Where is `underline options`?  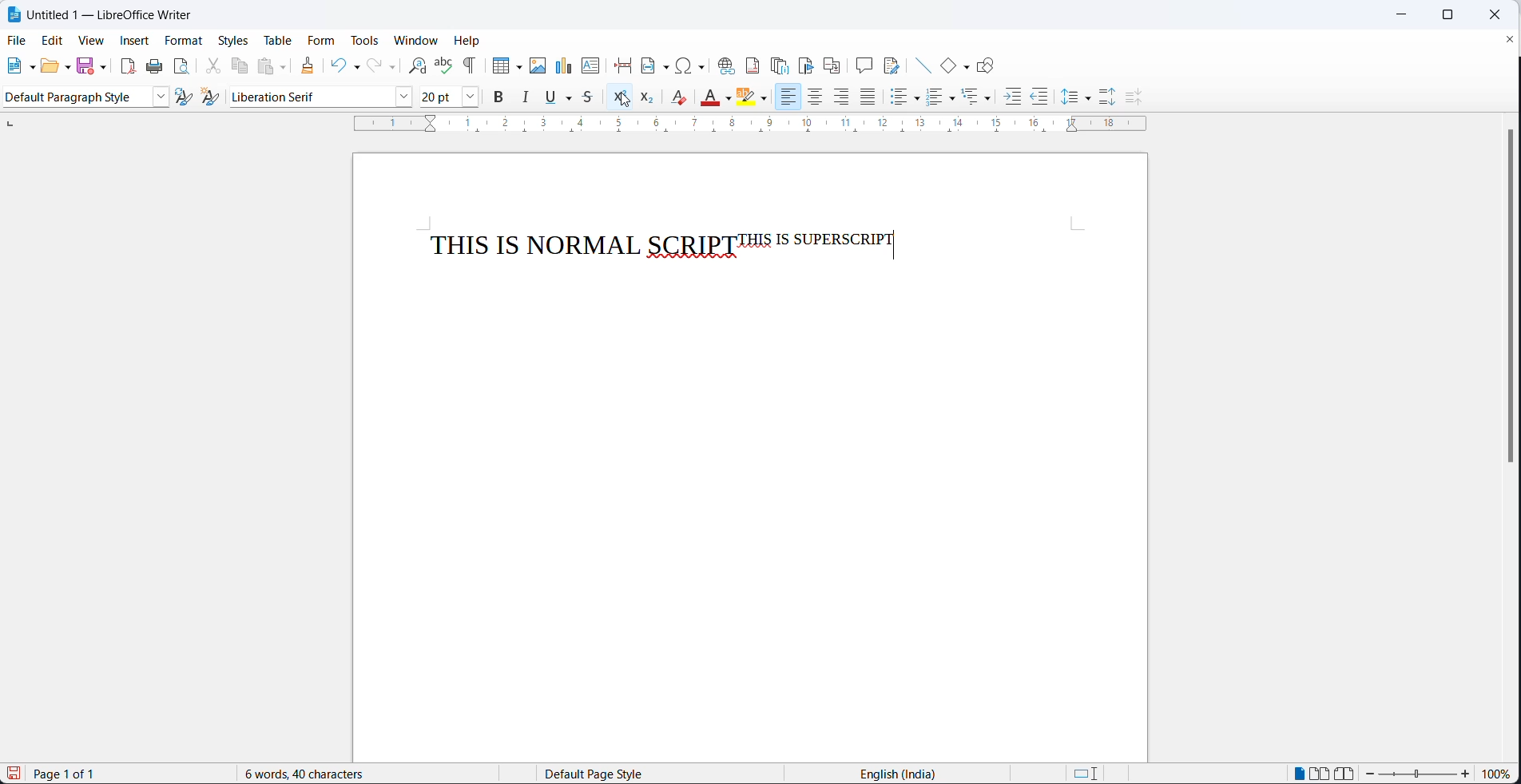
underline options is located at coordinates (573, 97).